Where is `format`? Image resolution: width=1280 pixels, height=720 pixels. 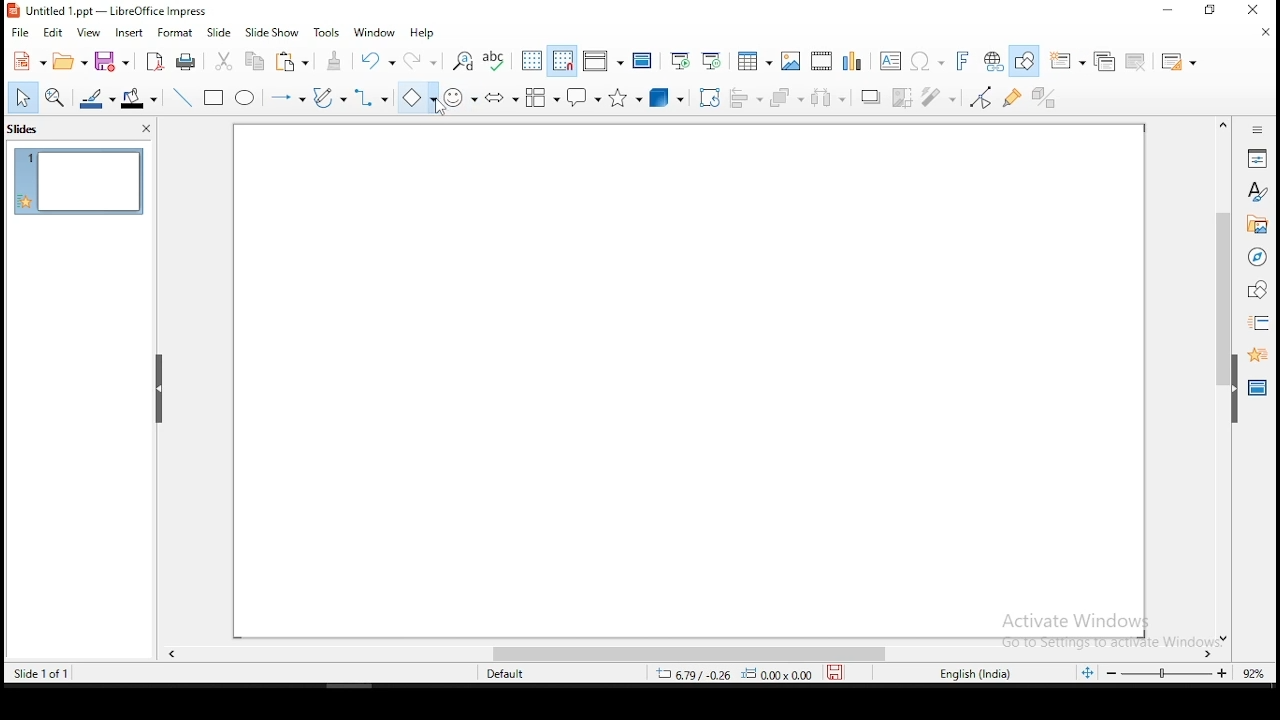 format is located at coordinates (175, 31).